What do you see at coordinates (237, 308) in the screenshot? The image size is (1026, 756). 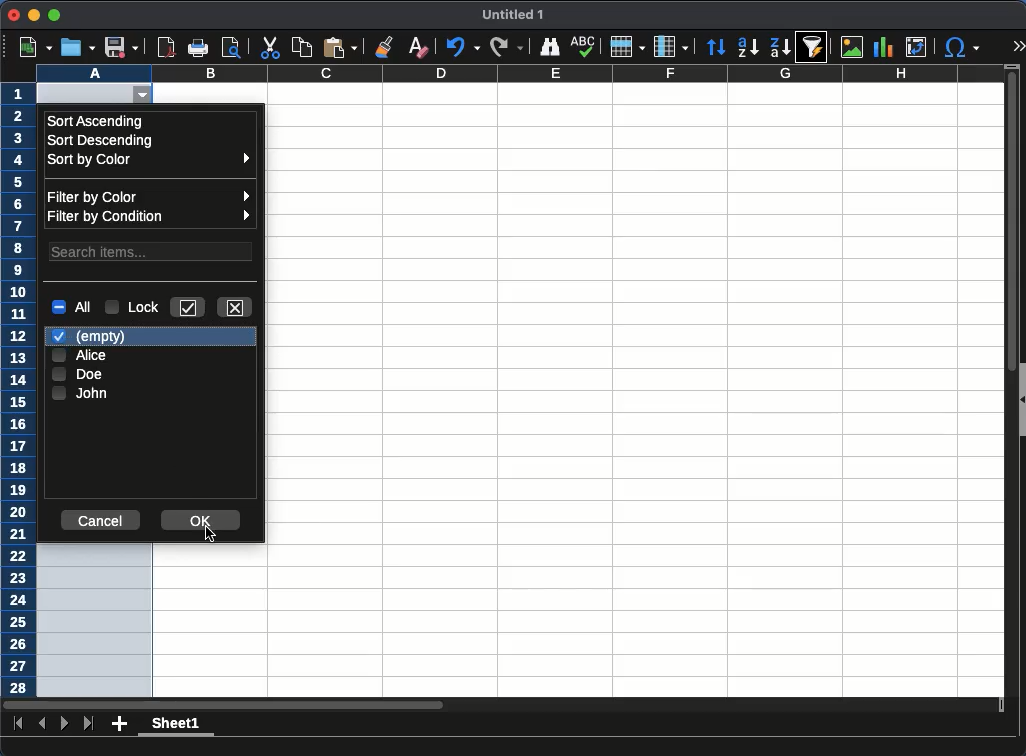 I see `close` at bounding box center [237, 308].